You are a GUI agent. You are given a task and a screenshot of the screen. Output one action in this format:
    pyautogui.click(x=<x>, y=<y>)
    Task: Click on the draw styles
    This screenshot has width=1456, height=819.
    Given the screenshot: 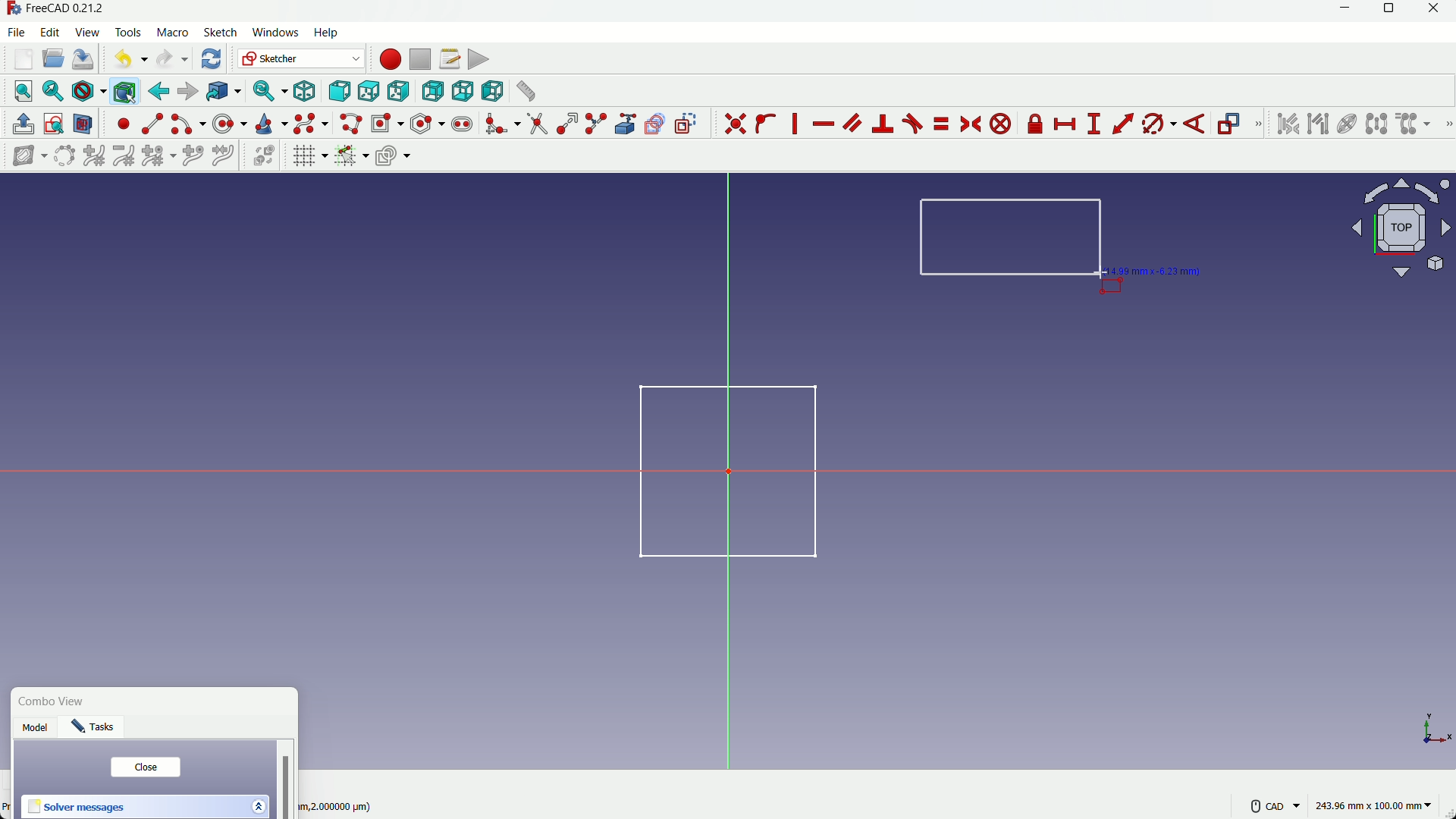 What is the action you would take?
    pyautogui.click(x=88, y=91)
    